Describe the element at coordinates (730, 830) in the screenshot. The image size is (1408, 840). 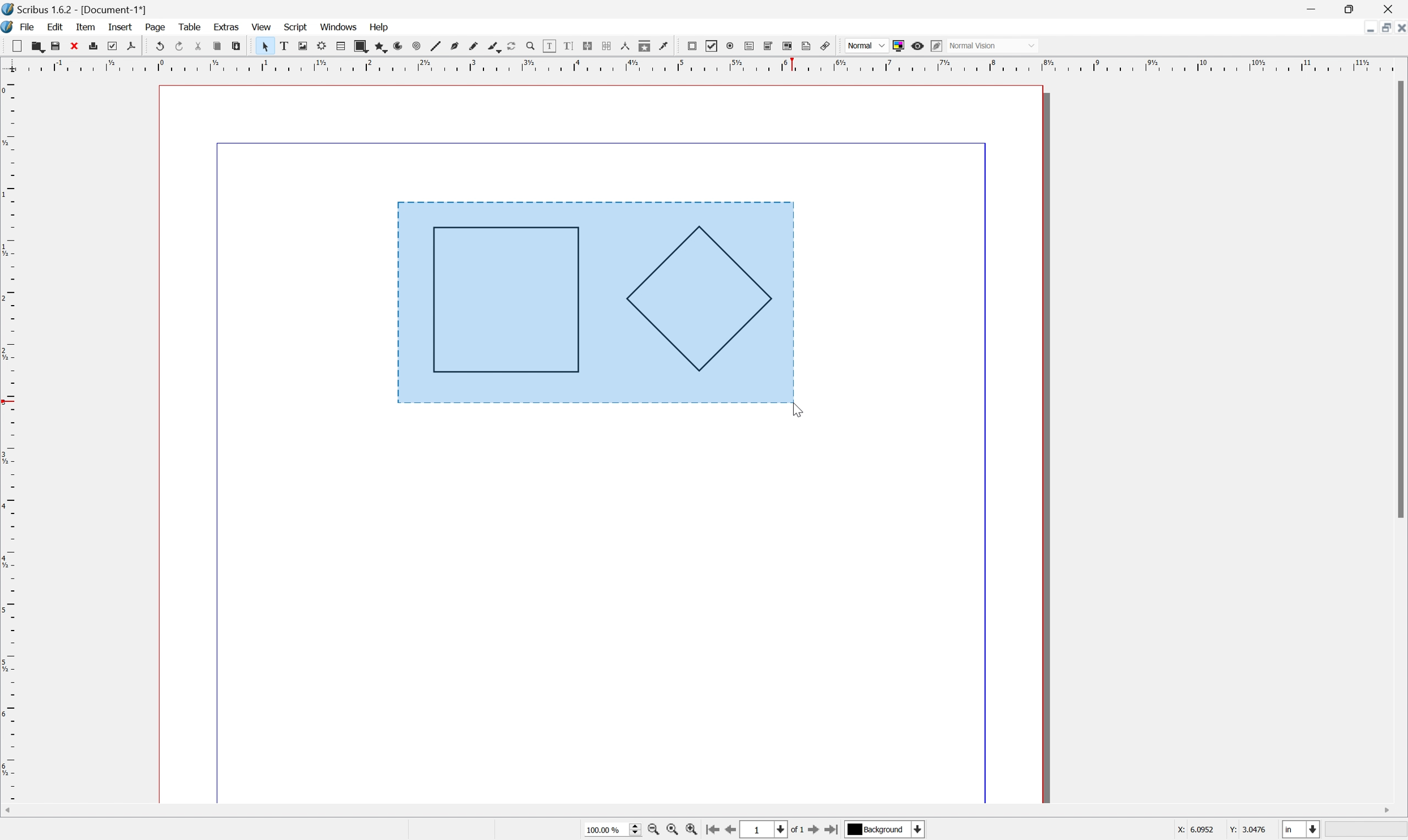
I see `Go to previous page` at that location.